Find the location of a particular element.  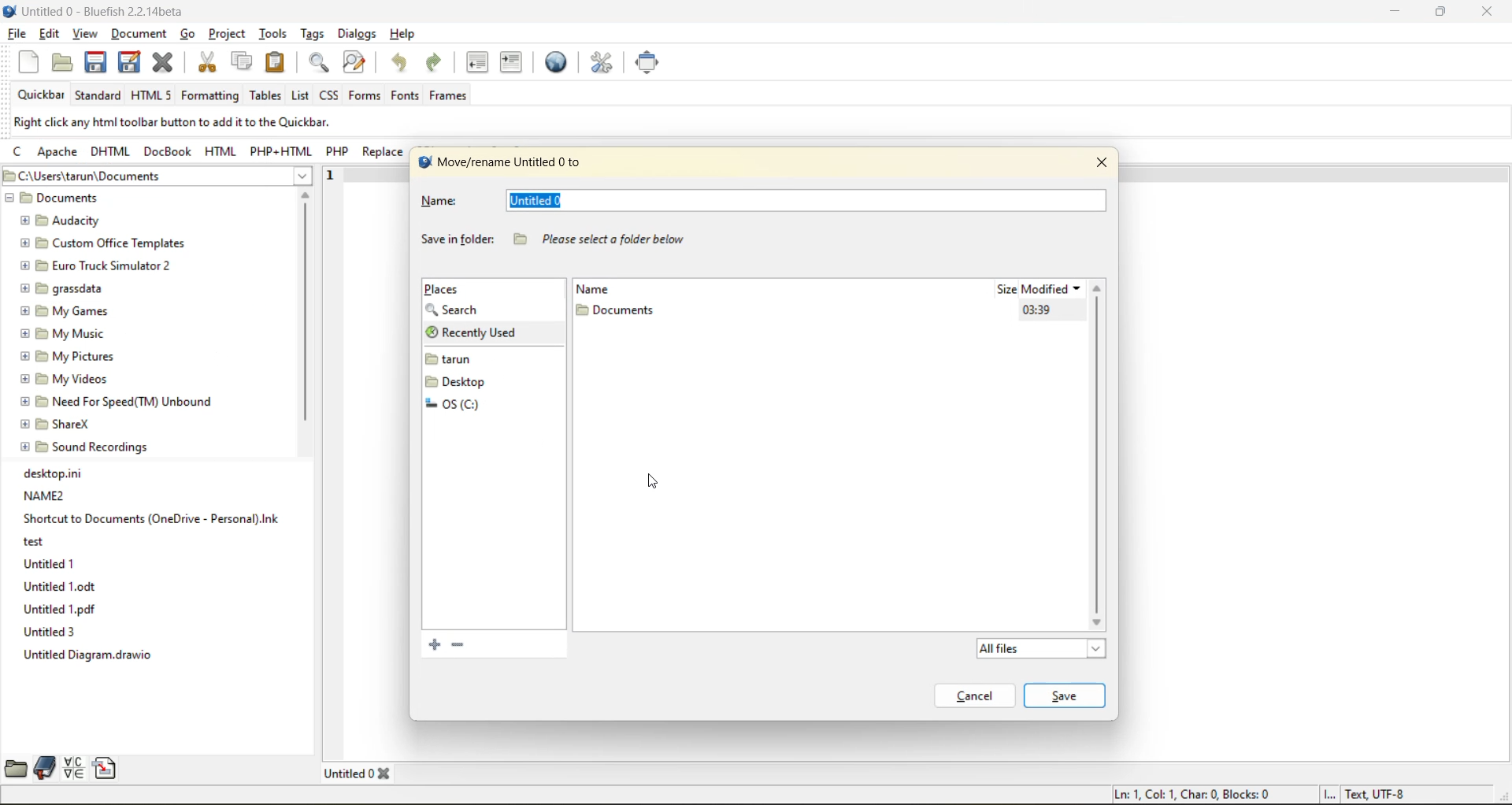

html 5 is located at coordinates (155, 96).